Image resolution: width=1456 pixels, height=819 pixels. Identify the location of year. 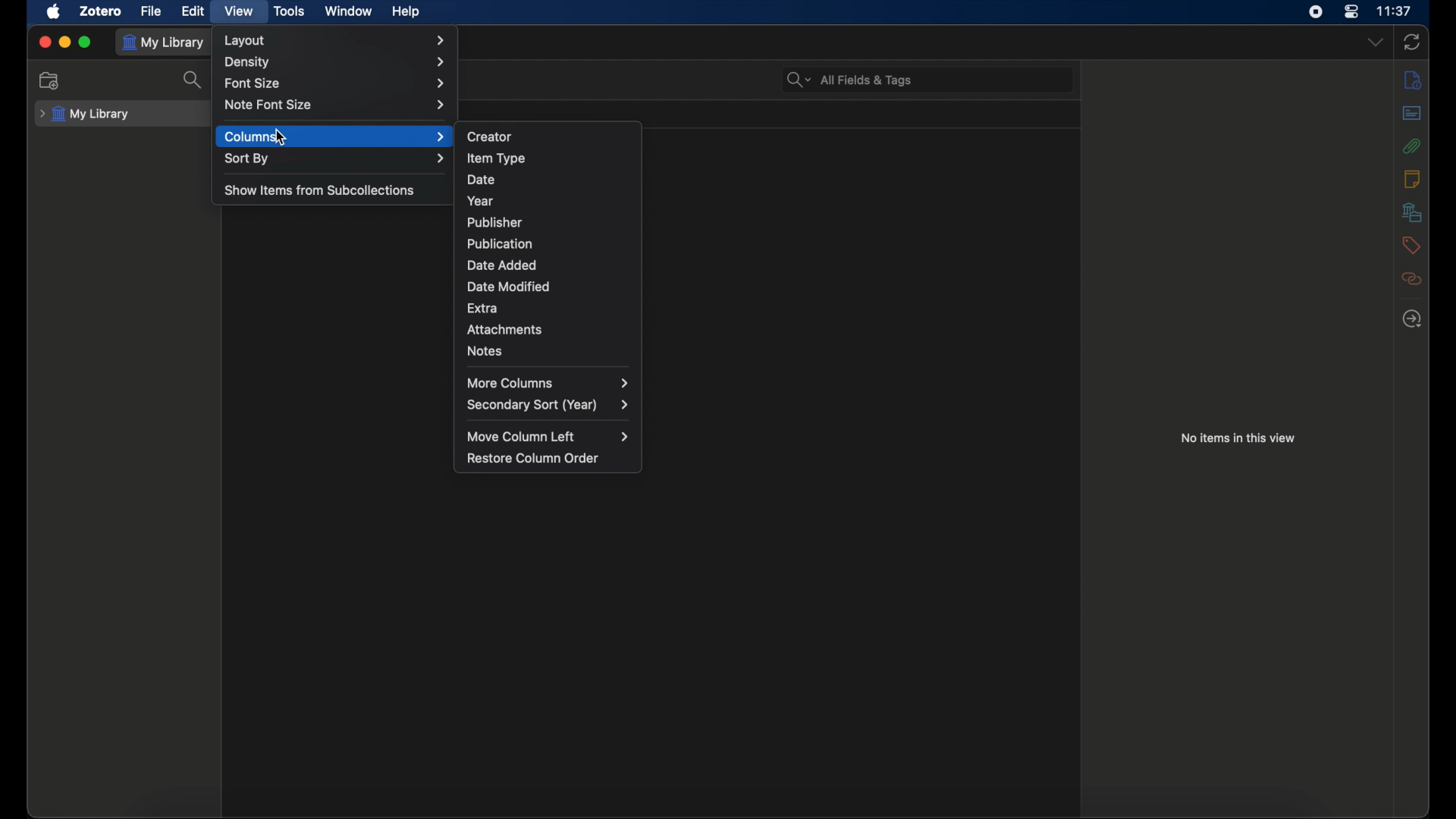
(481, 201).